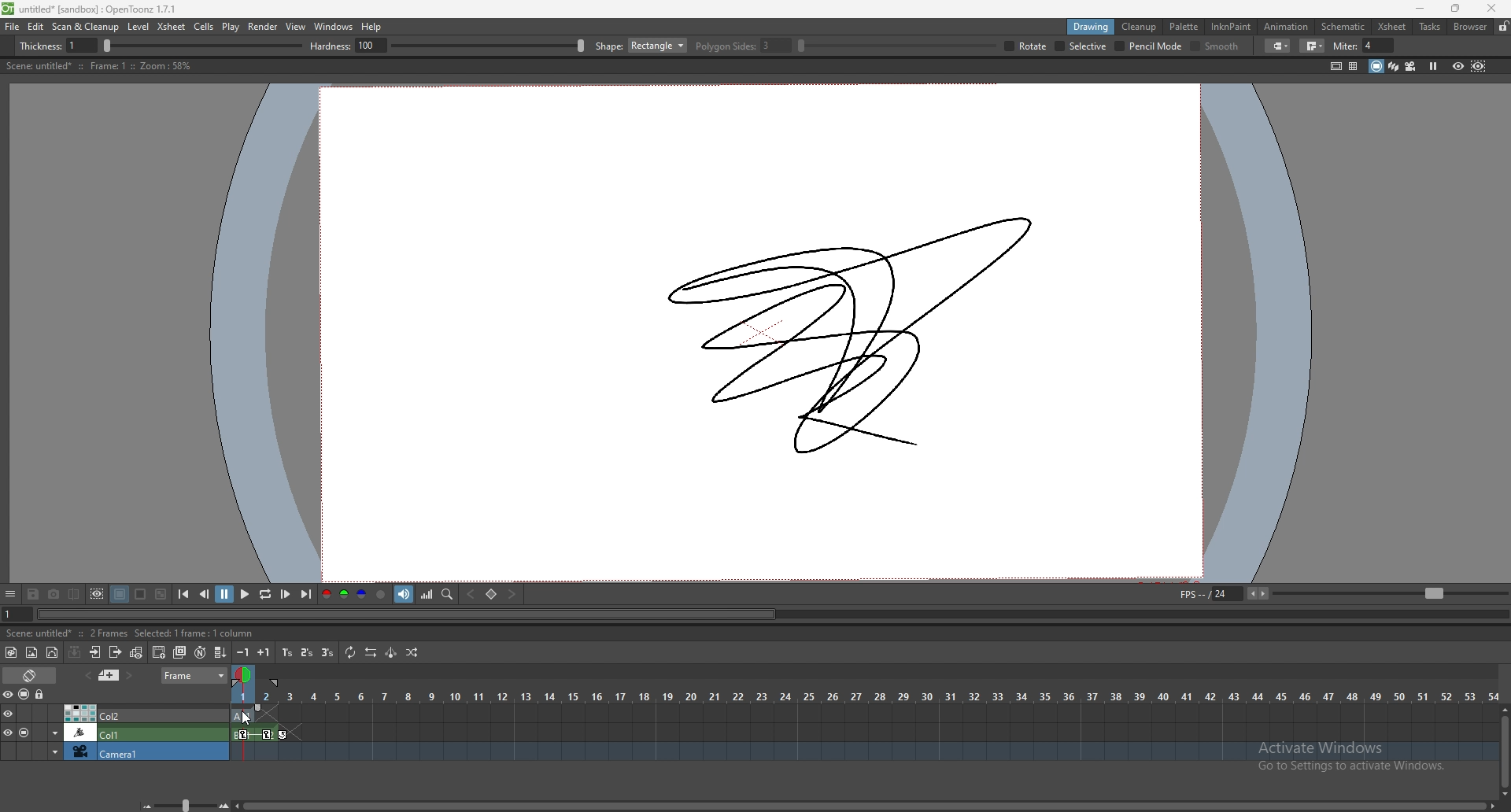 The height and width of the screenshot is (812, 1511). Describe the element at coordinates (264, 27) in the screenshot. I see `render` at that location.